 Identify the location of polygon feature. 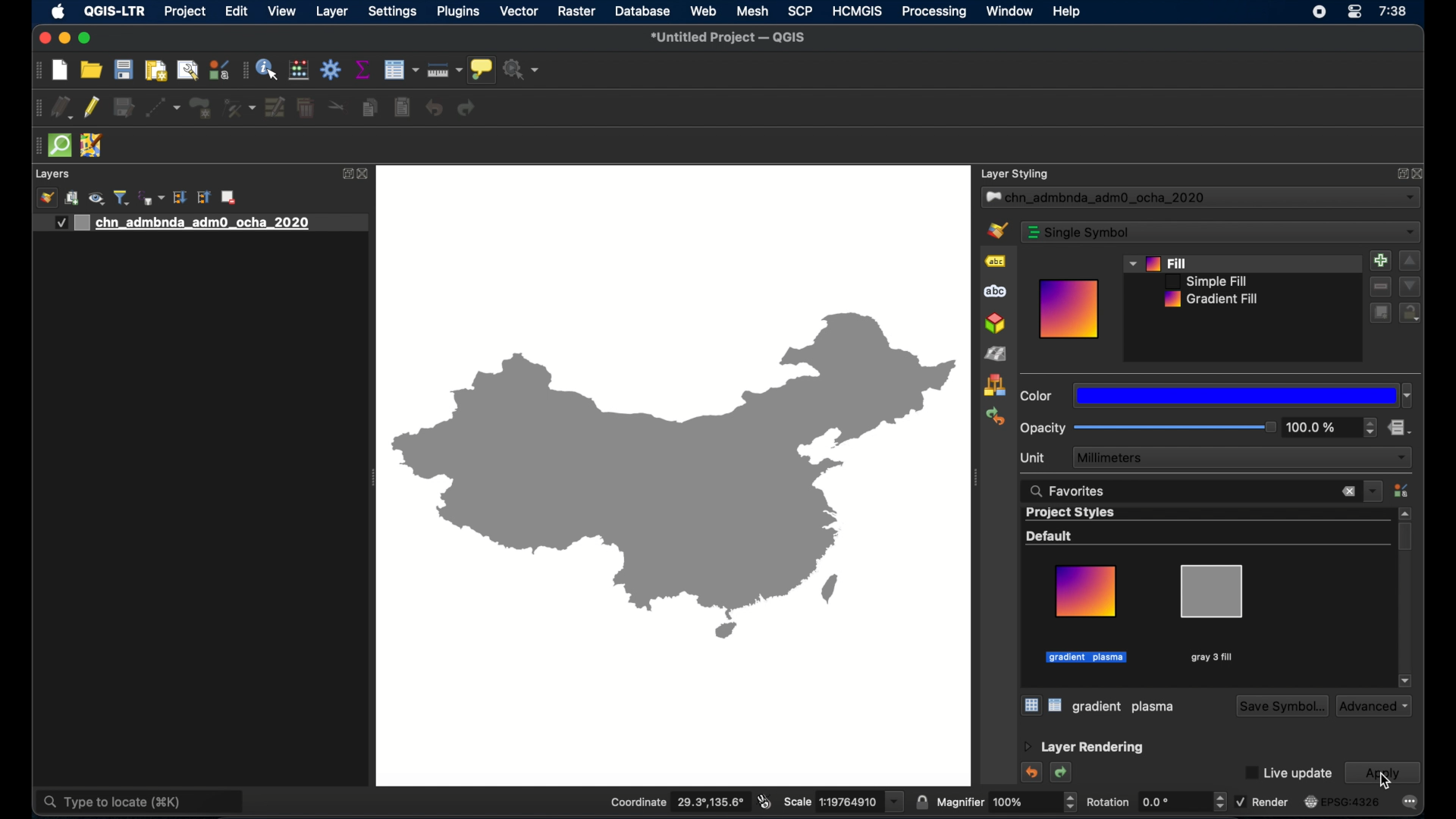
(201, 108).